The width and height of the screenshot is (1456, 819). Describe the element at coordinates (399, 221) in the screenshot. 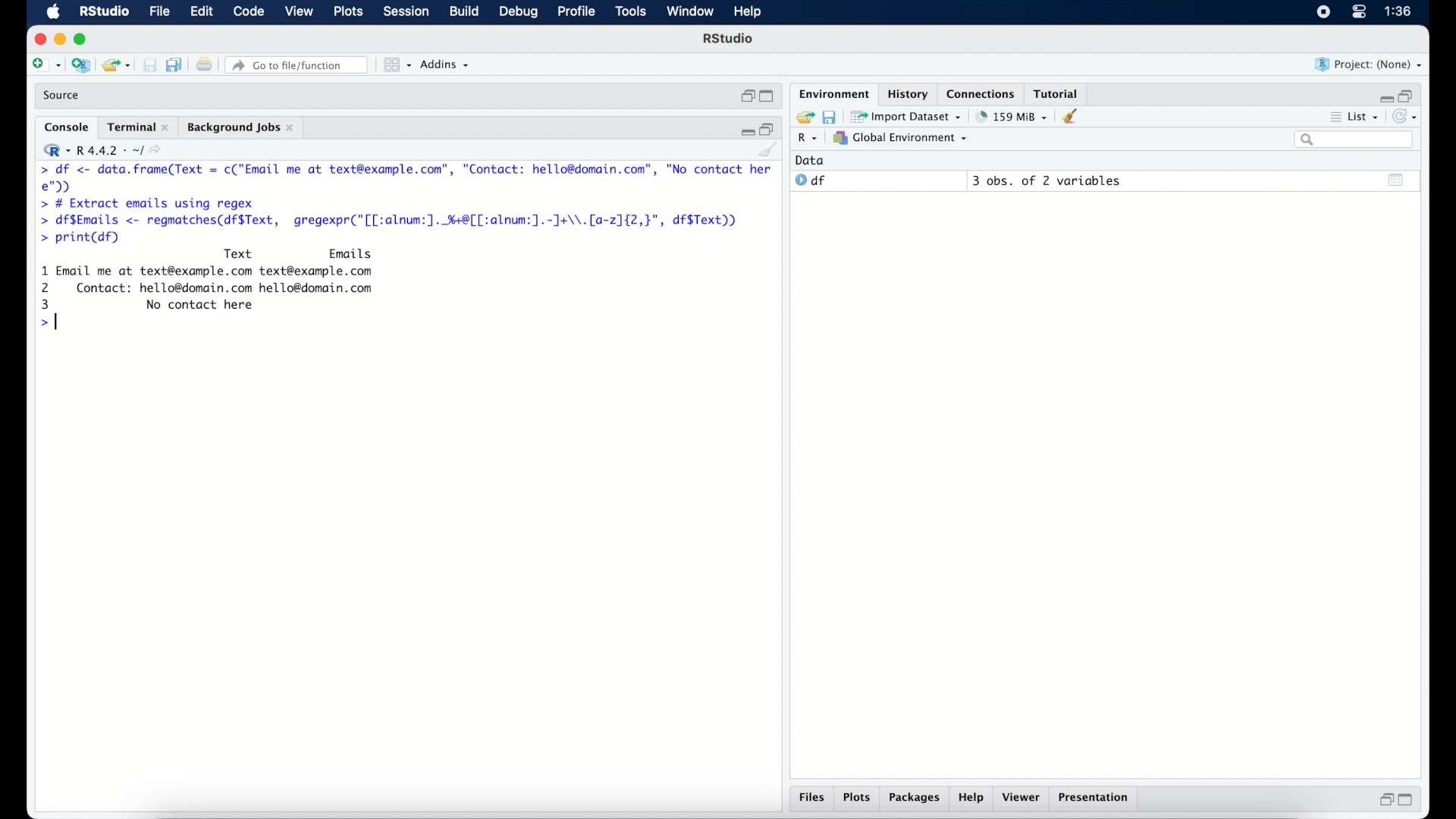

I see `> df$Emails <- regmatches(df$Text, gregexpr("[[:alnum:]. %+8[[:alnum:].-]J+\\.[a-2]{2,}", df$Text))` at that location.